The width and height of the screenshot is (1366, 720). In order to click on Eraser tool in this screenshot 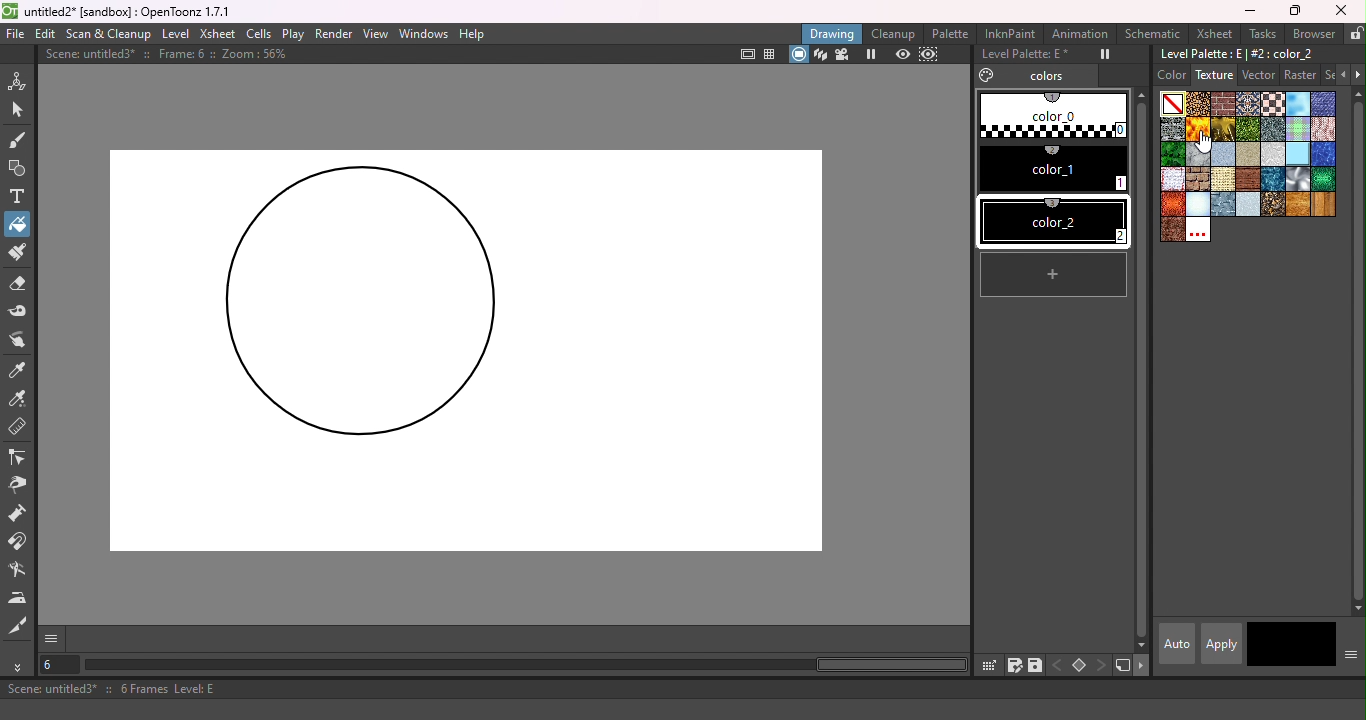, I will do `click(21, 285)`.